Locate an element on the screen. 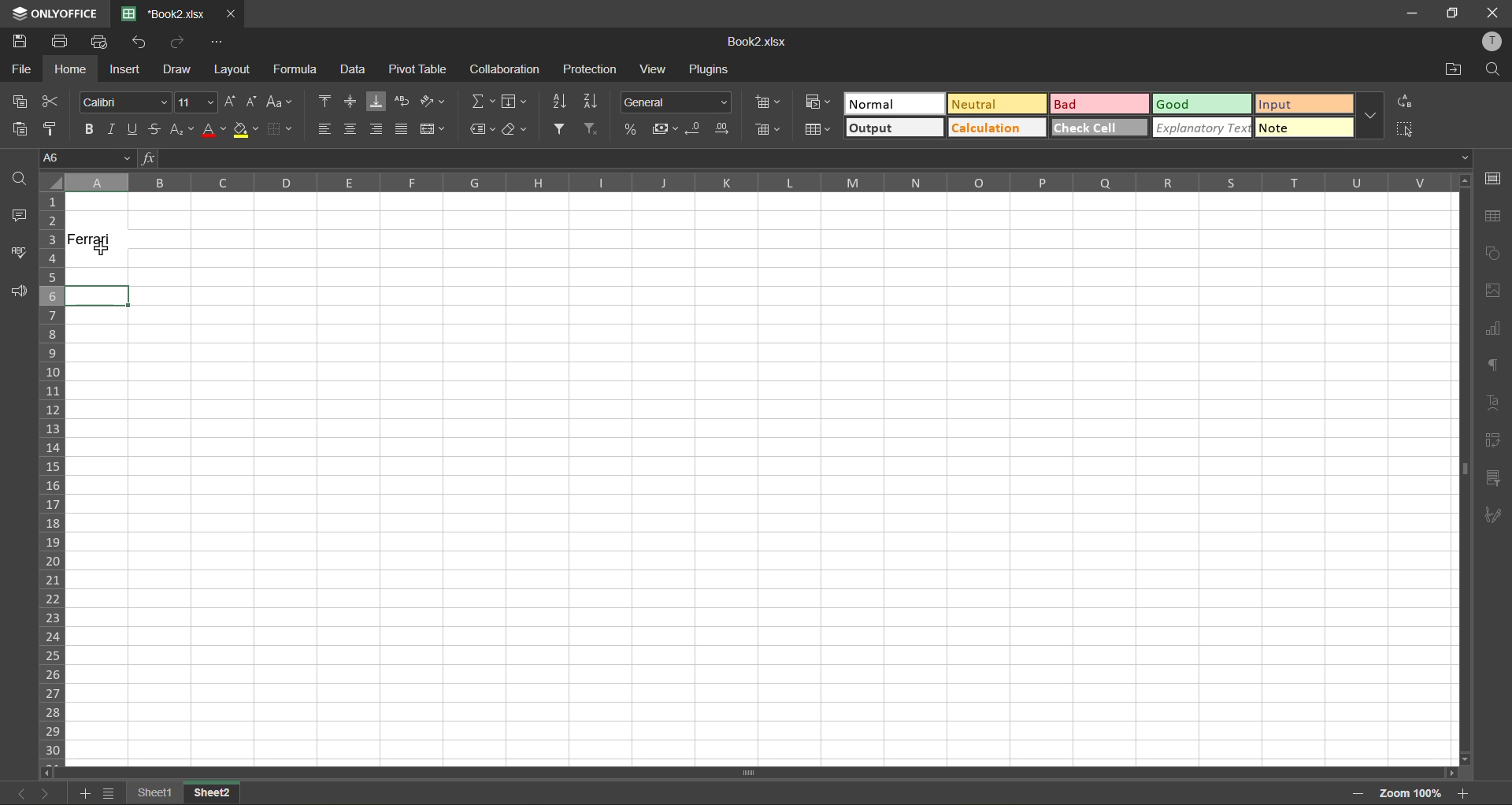 The height and width of the screenshot is (805, 1512). redo is located at coordinates (179, 43).